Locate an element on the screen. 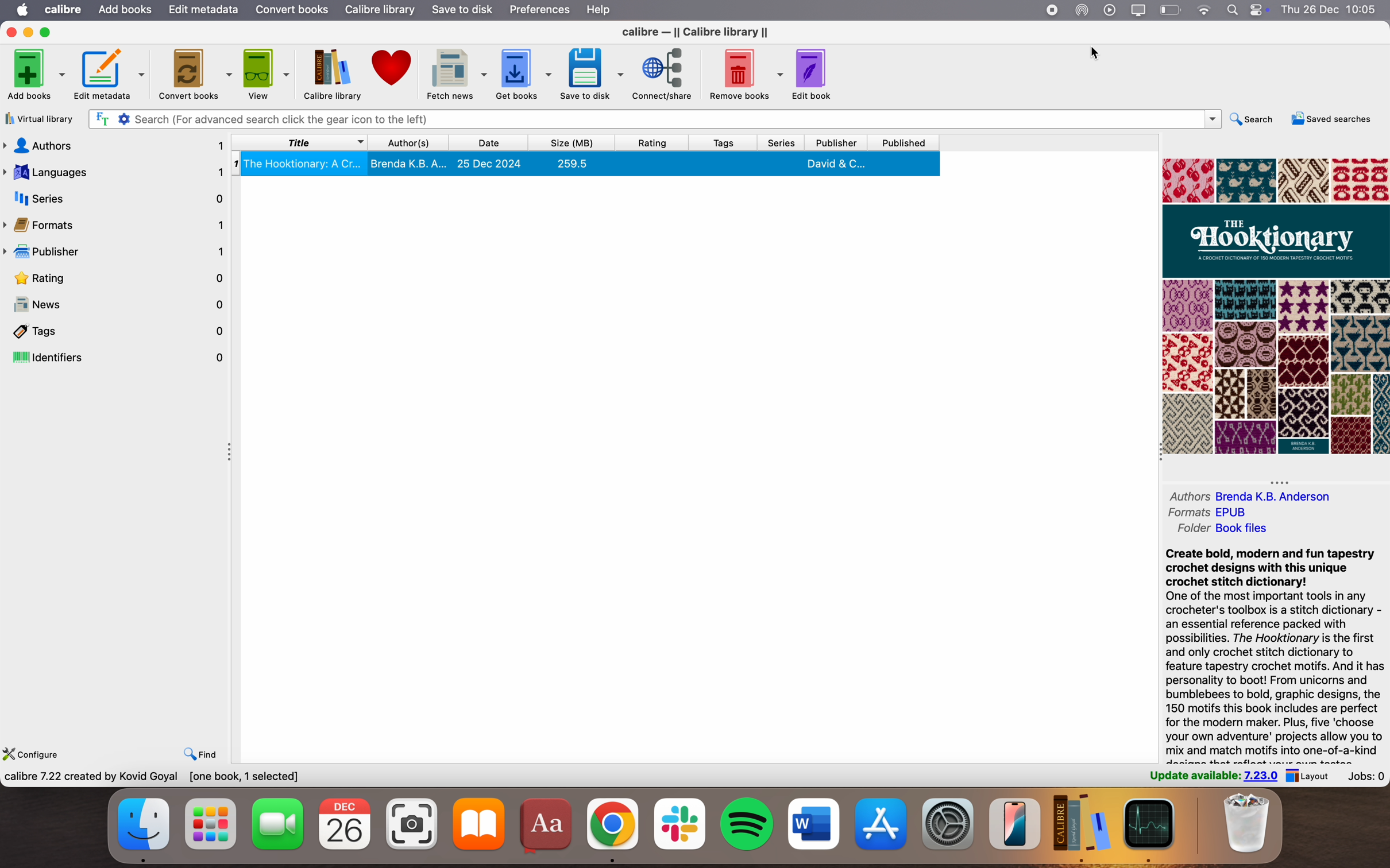 This screenshot has height=868, width=1390. calendar is located at coordinates (342, 823).